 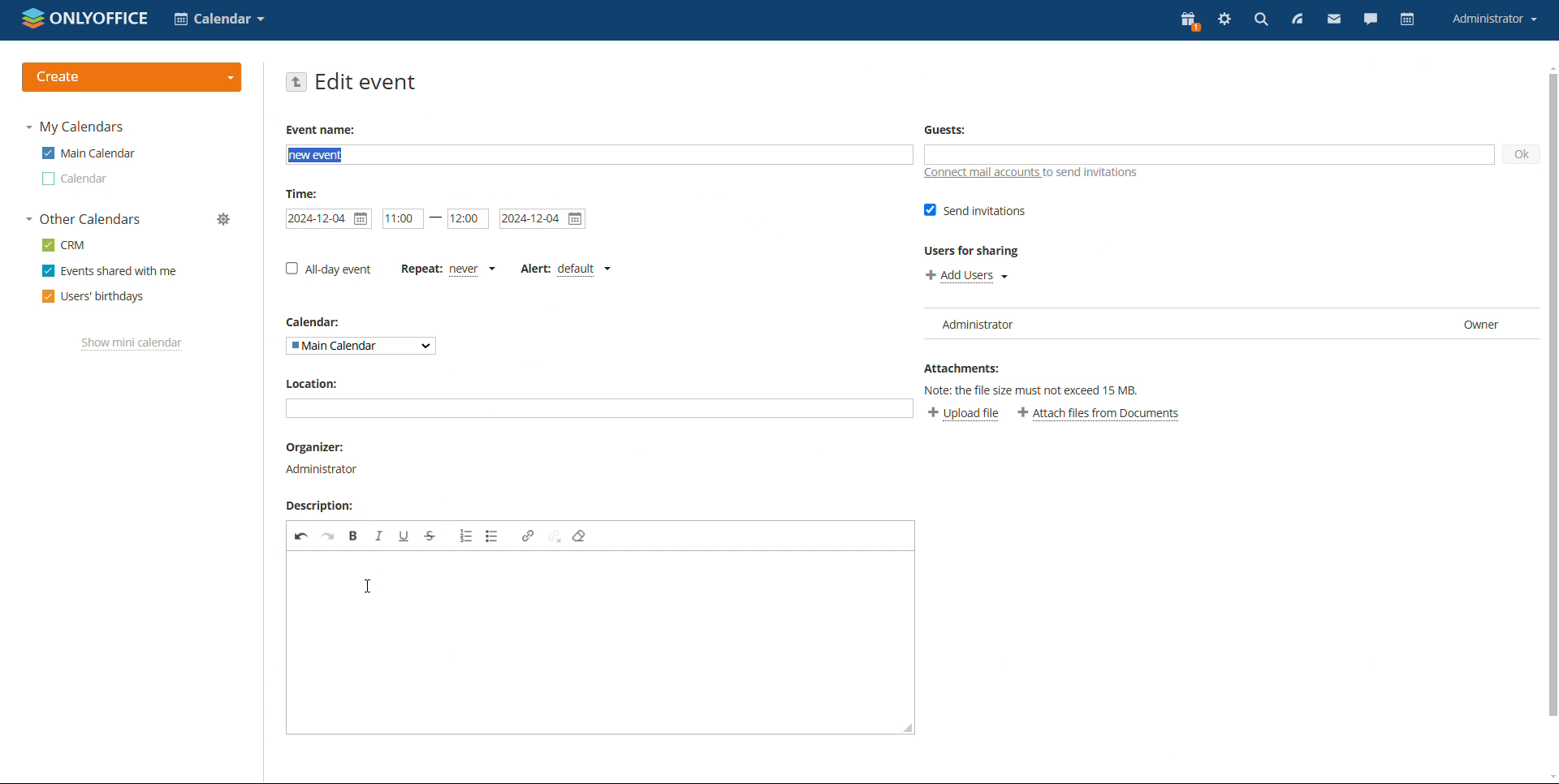 What do you see at coordinates (946, 128) in the screenshot?
I see `Guests:` at bounding box center [946, 128].